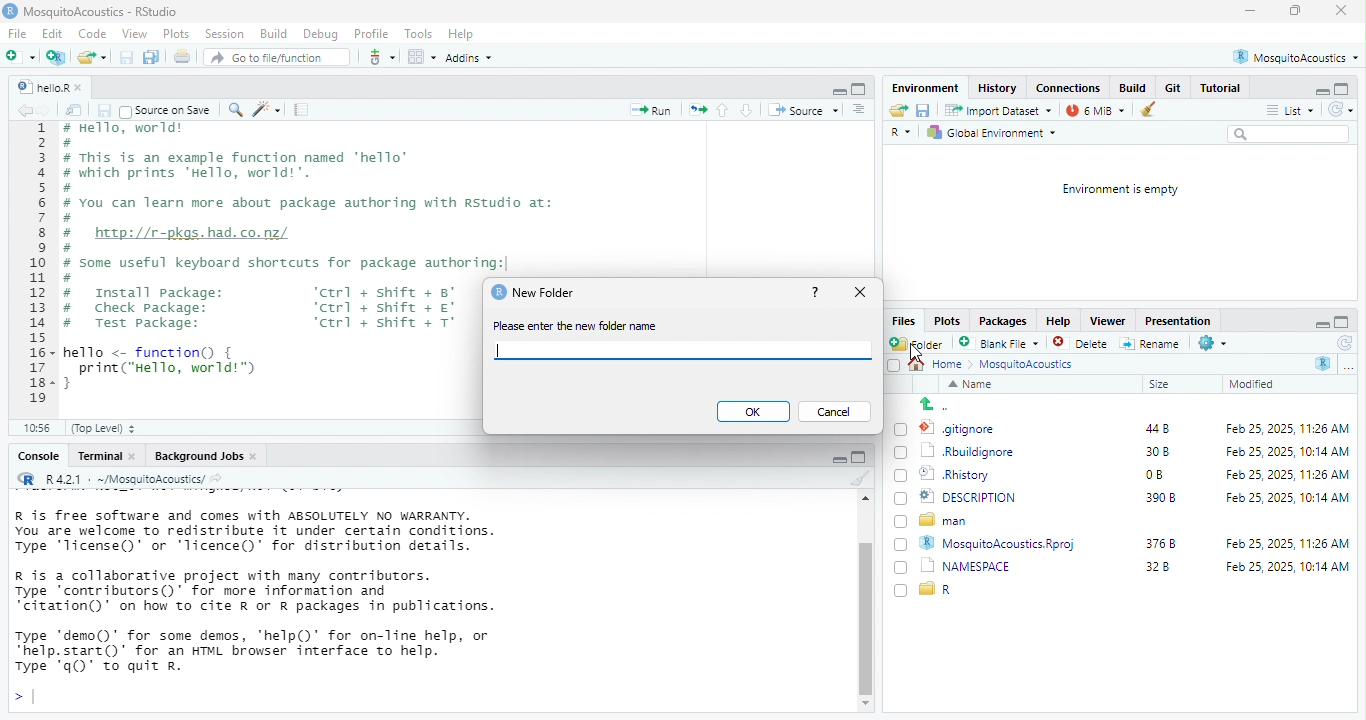  I want to click on  Packages, so click(1004, 320).